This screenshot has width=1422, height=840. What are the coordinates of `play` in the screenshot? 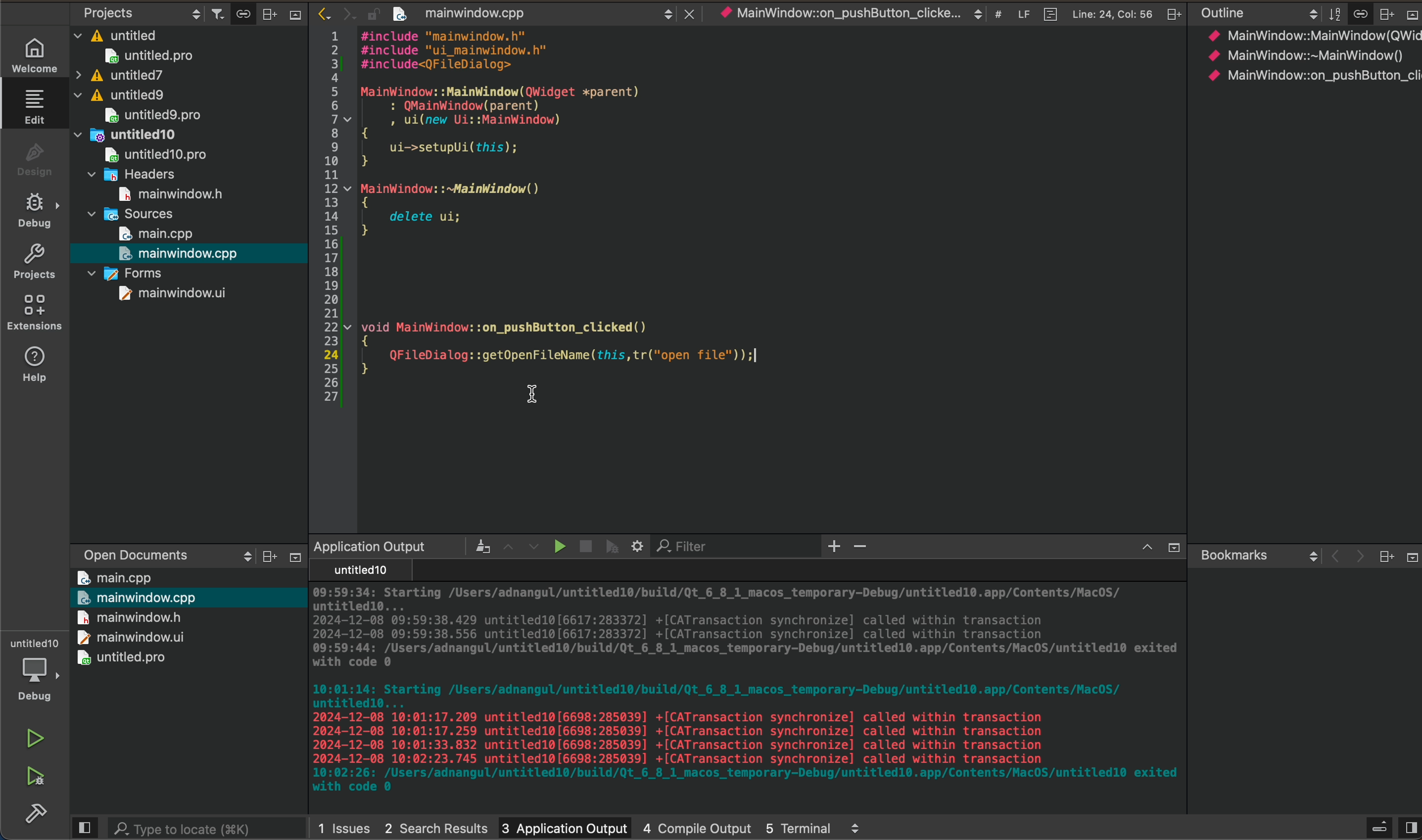 It's located at (556, 546).